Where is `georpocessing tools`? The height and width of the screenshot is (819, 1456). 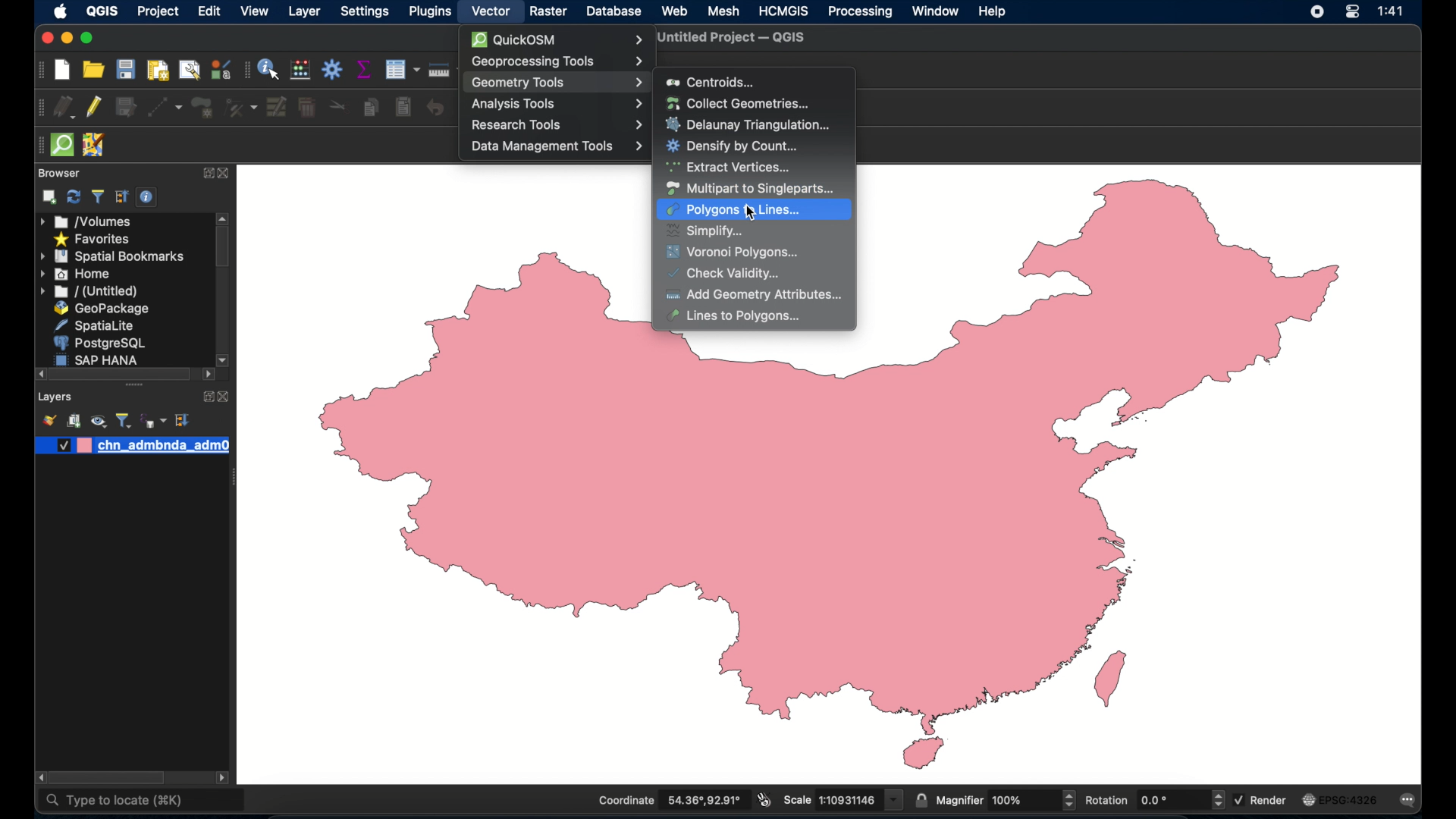 georpocessing tools is located at coordinates (557, 61).